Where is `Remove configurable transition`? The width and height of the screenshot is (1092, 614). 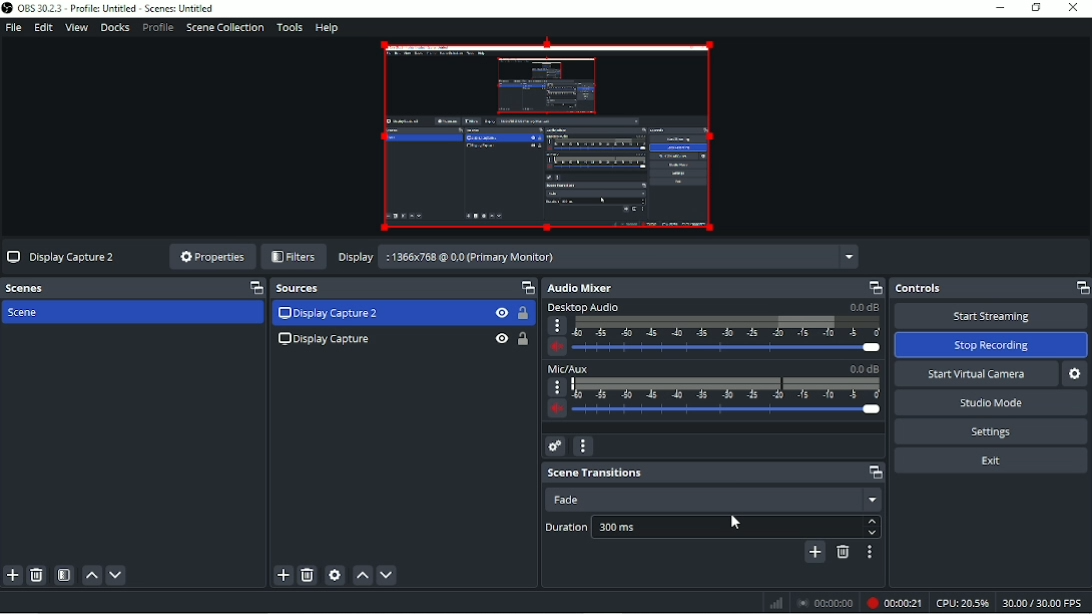
Remove configurable transition is located at coordinates (842, 552).